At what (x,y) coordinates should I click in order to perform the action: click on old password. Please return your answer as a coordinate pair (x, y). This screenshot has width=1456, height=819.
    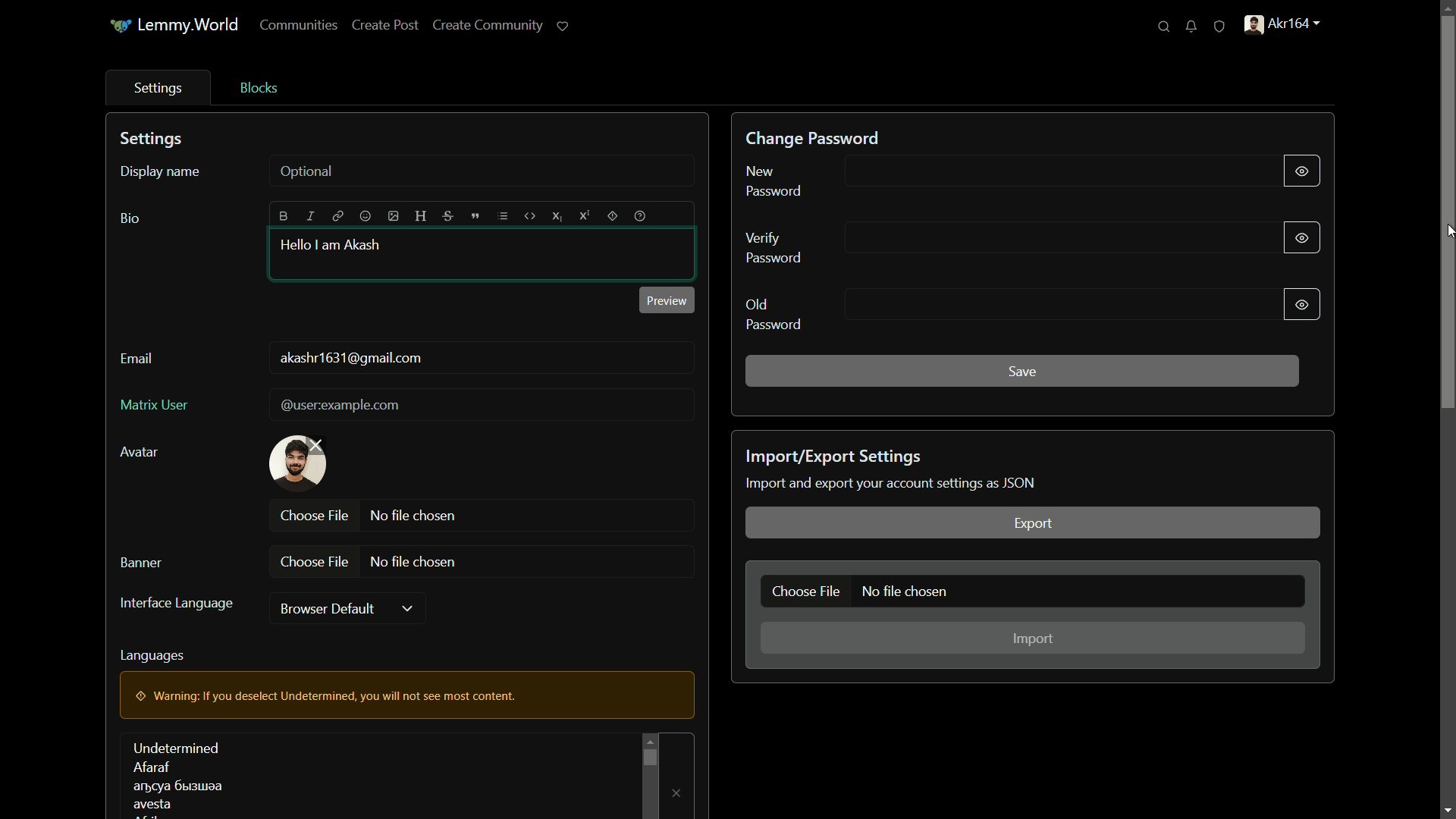
    Looking at the image, I should click on (773, 315).